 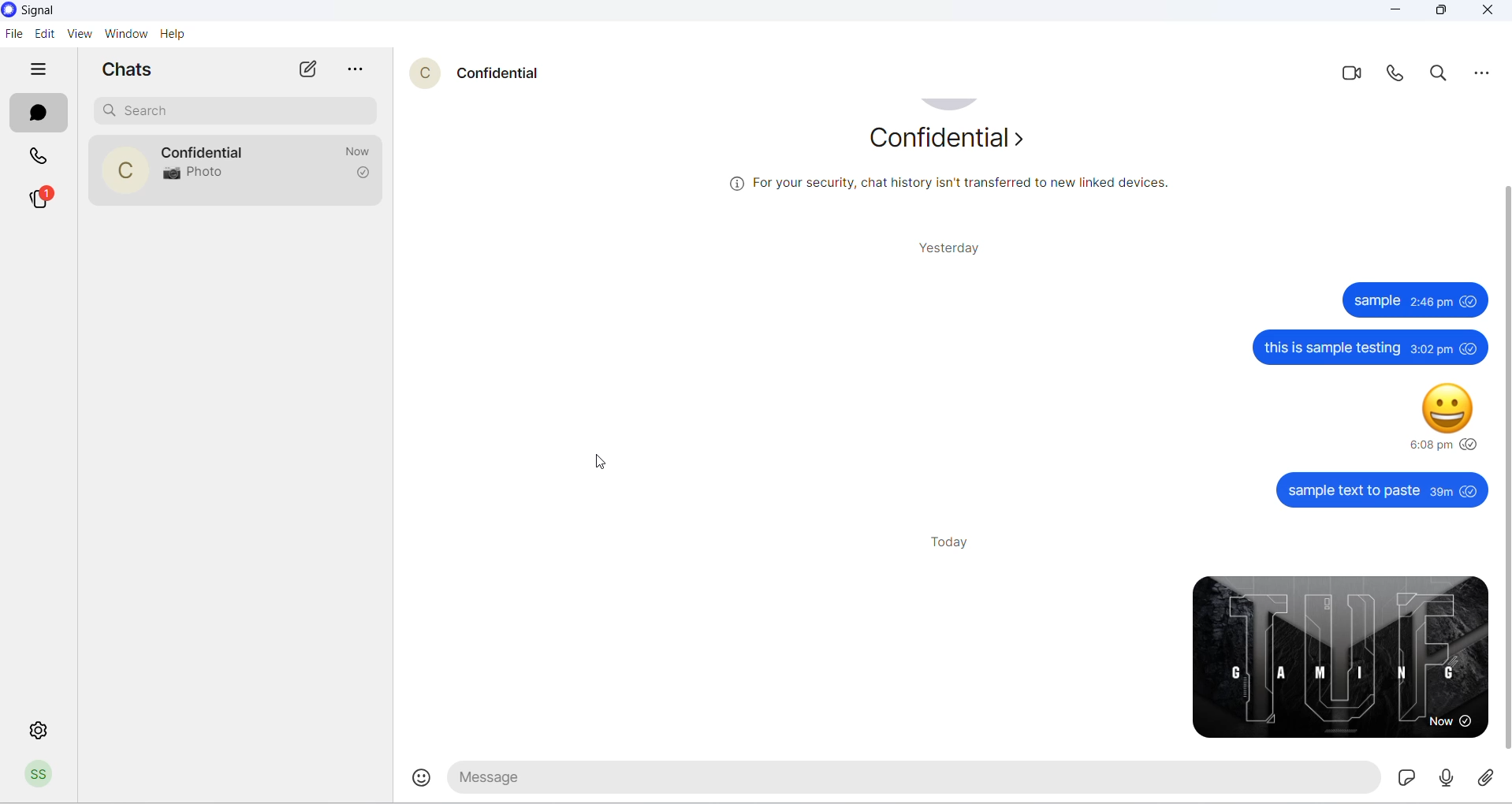 I want to click on emojis, so click(x=423, y=778).